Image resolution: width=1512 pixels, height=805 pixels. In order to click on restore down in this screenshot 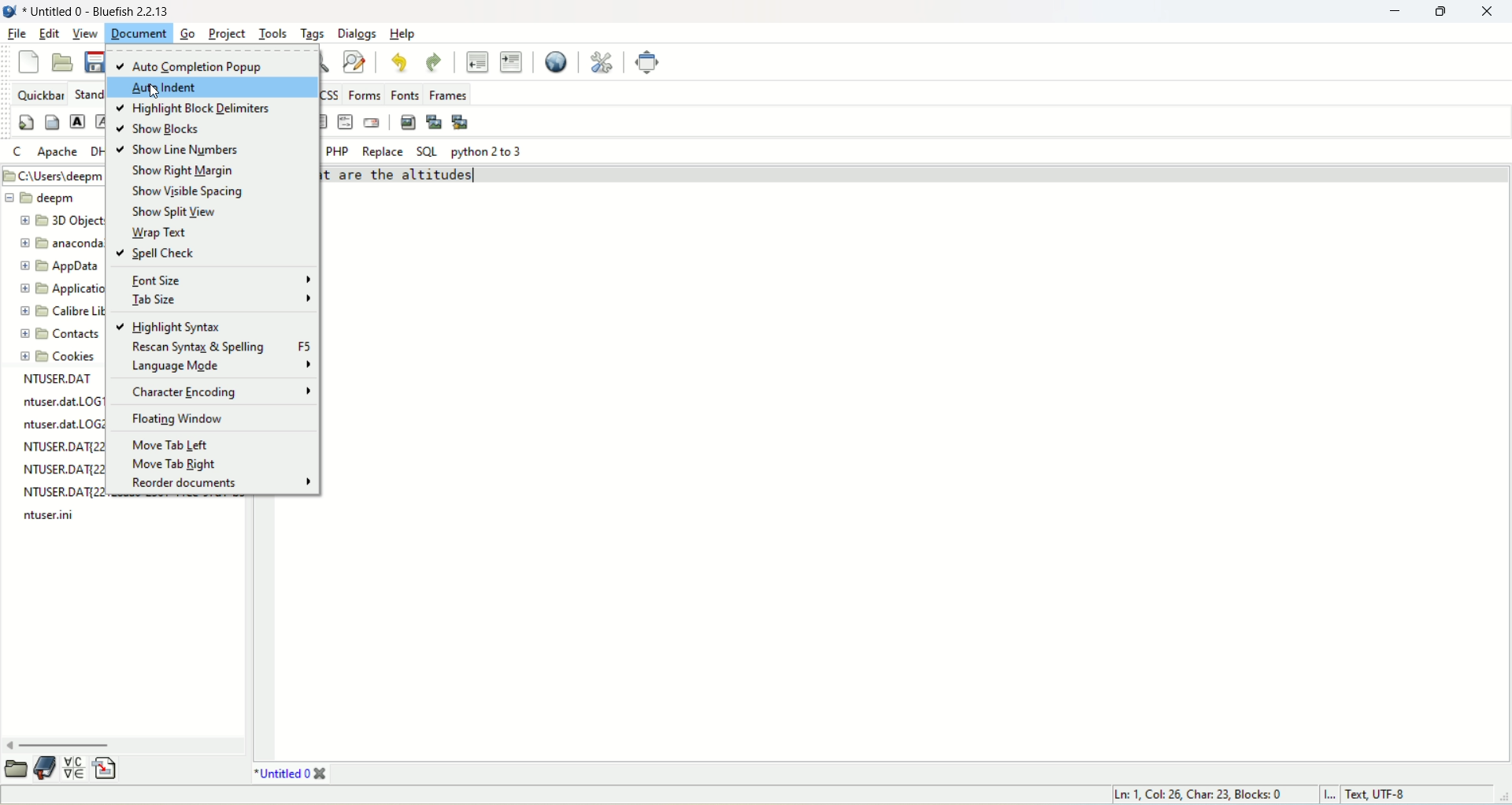, I will do `click(1440, 11)`.